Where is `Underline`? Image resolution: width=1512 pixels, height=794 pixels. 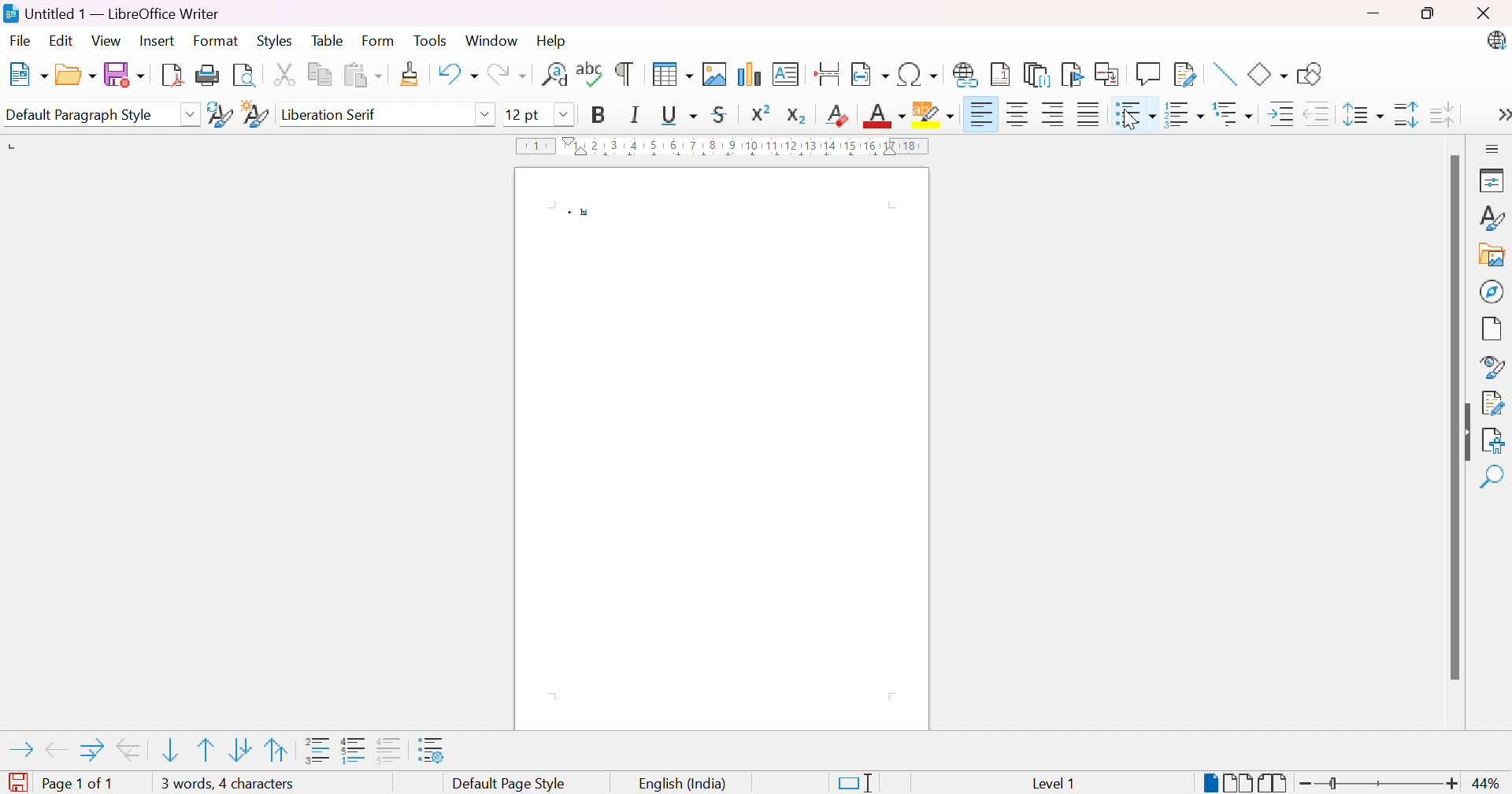
Underline is located at coordinates (680, 114).